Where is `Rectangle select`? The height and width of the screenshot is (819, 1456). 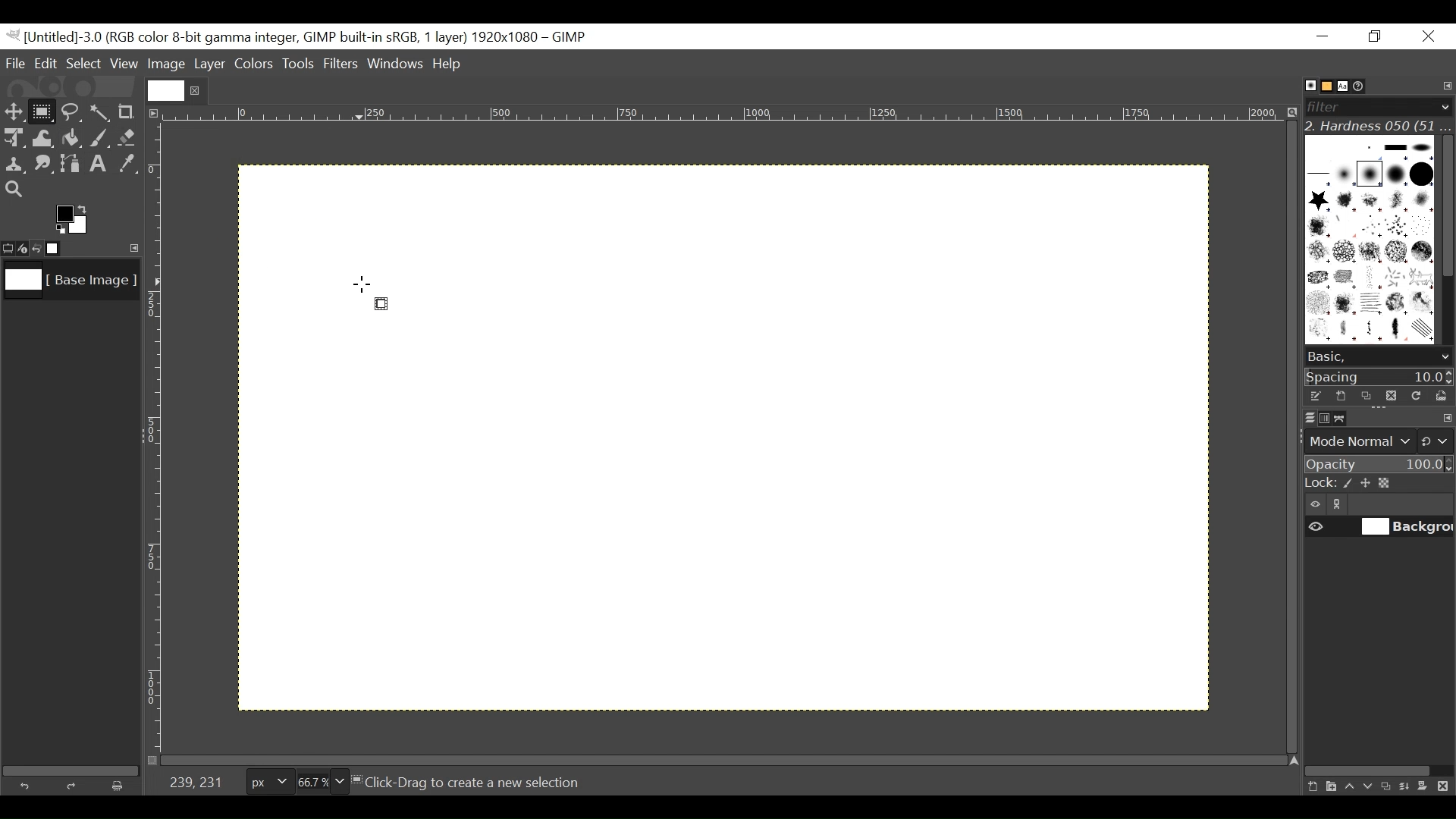
Rectangle select is located at coordinates (381, 304).